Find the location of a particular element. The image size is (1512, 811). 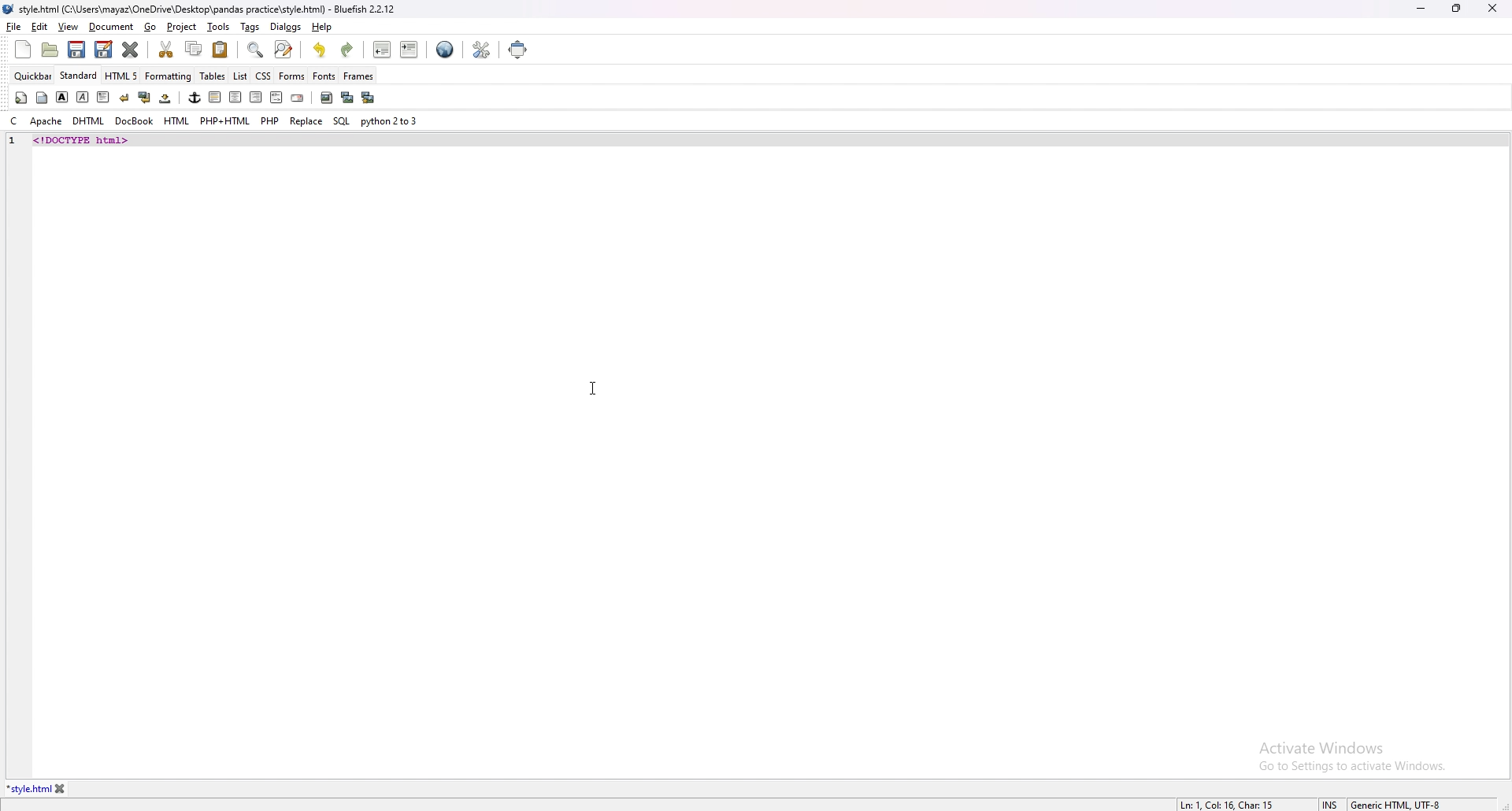

minimize is located at coordinates (1421, 9).